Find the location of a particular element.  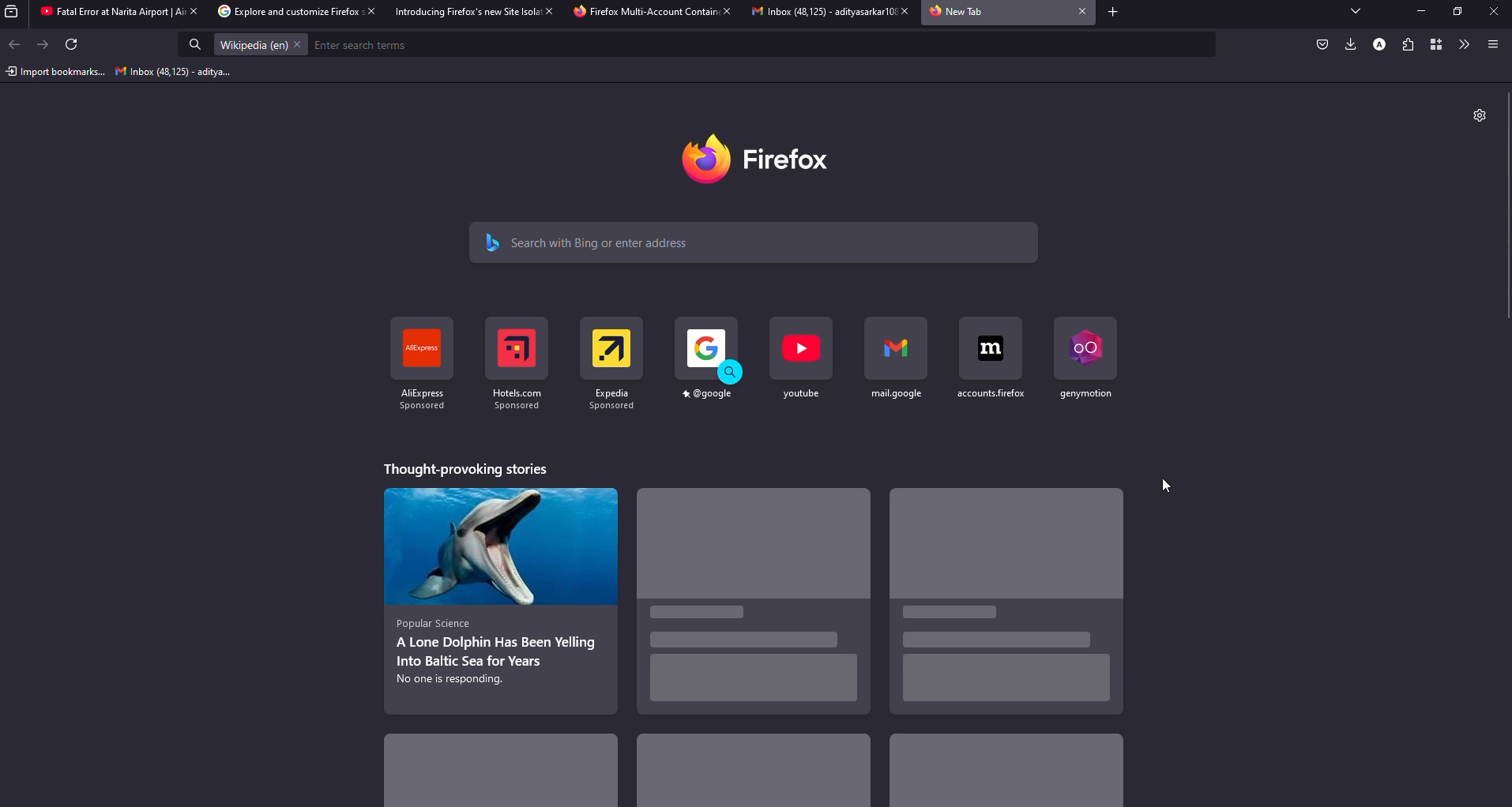

search is located at coordinates (592, 241).